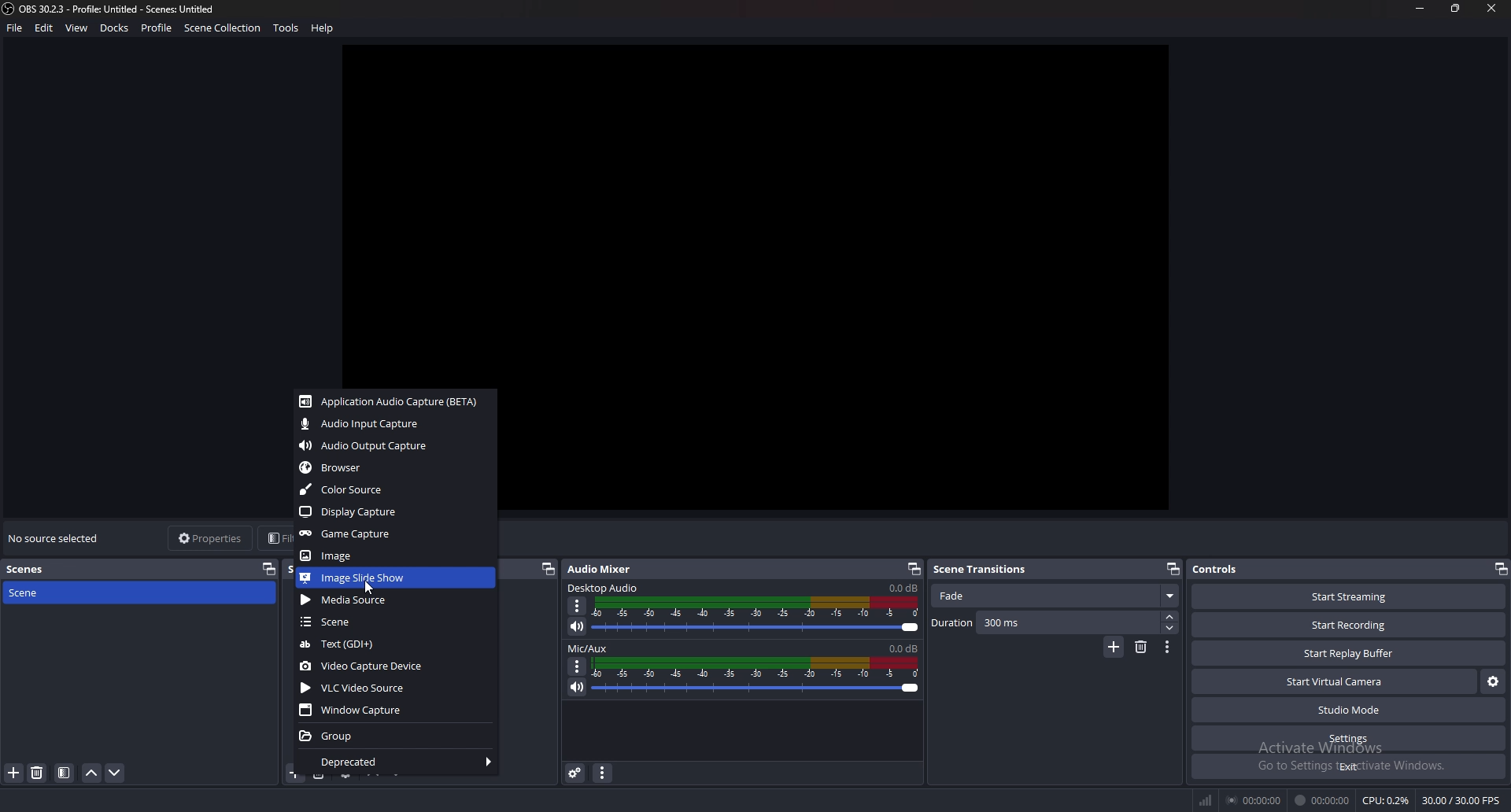 The height and width of the screenshot is (812, 1511). What do you see at coordinates (65, 773) in the screenshot?
I see `filter` at bounding box center [65, 773].